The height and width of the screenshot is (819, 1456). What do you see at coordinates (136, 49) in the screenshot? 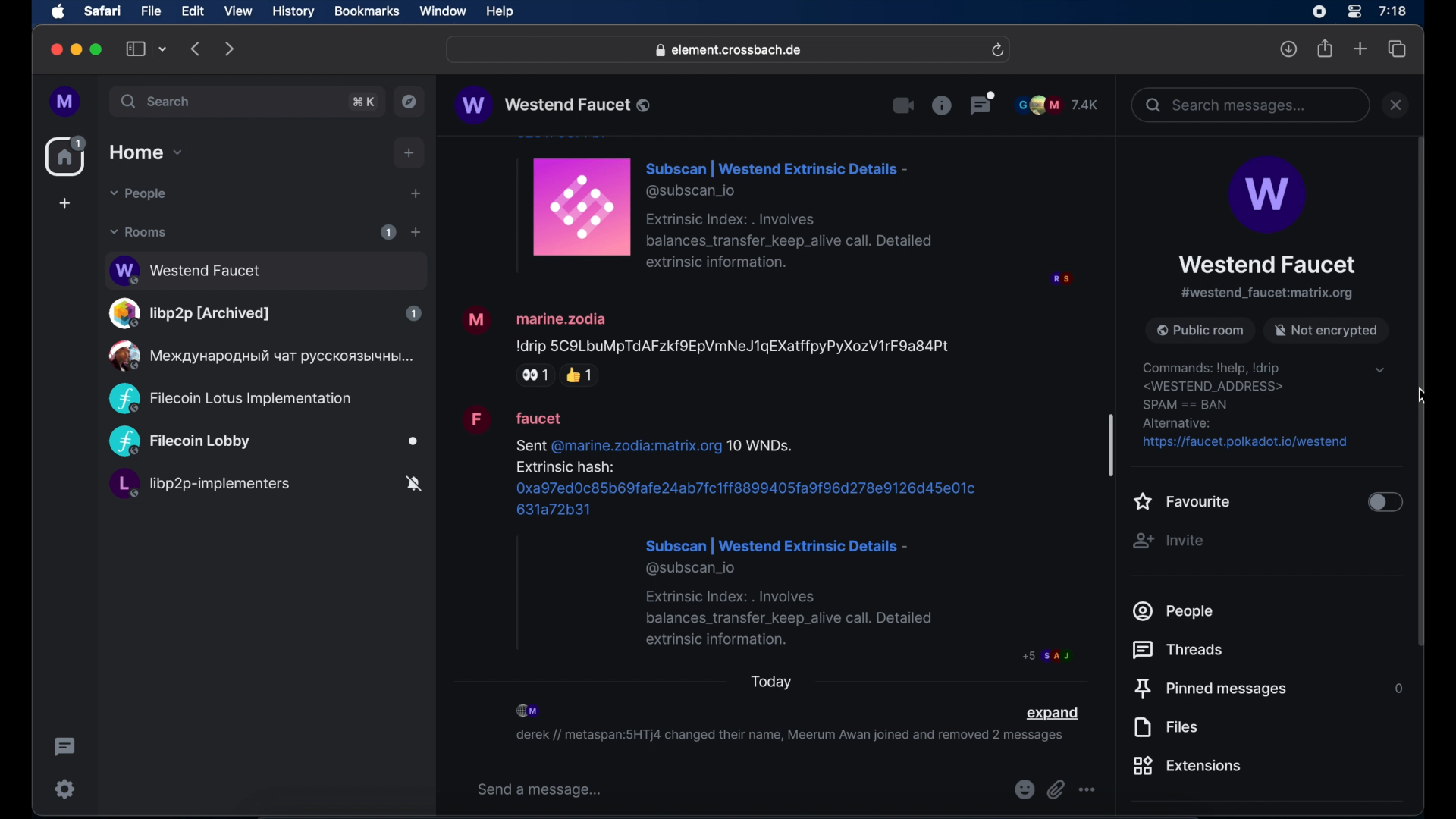
I see `show sidebar` at bounding box center [136, 49].